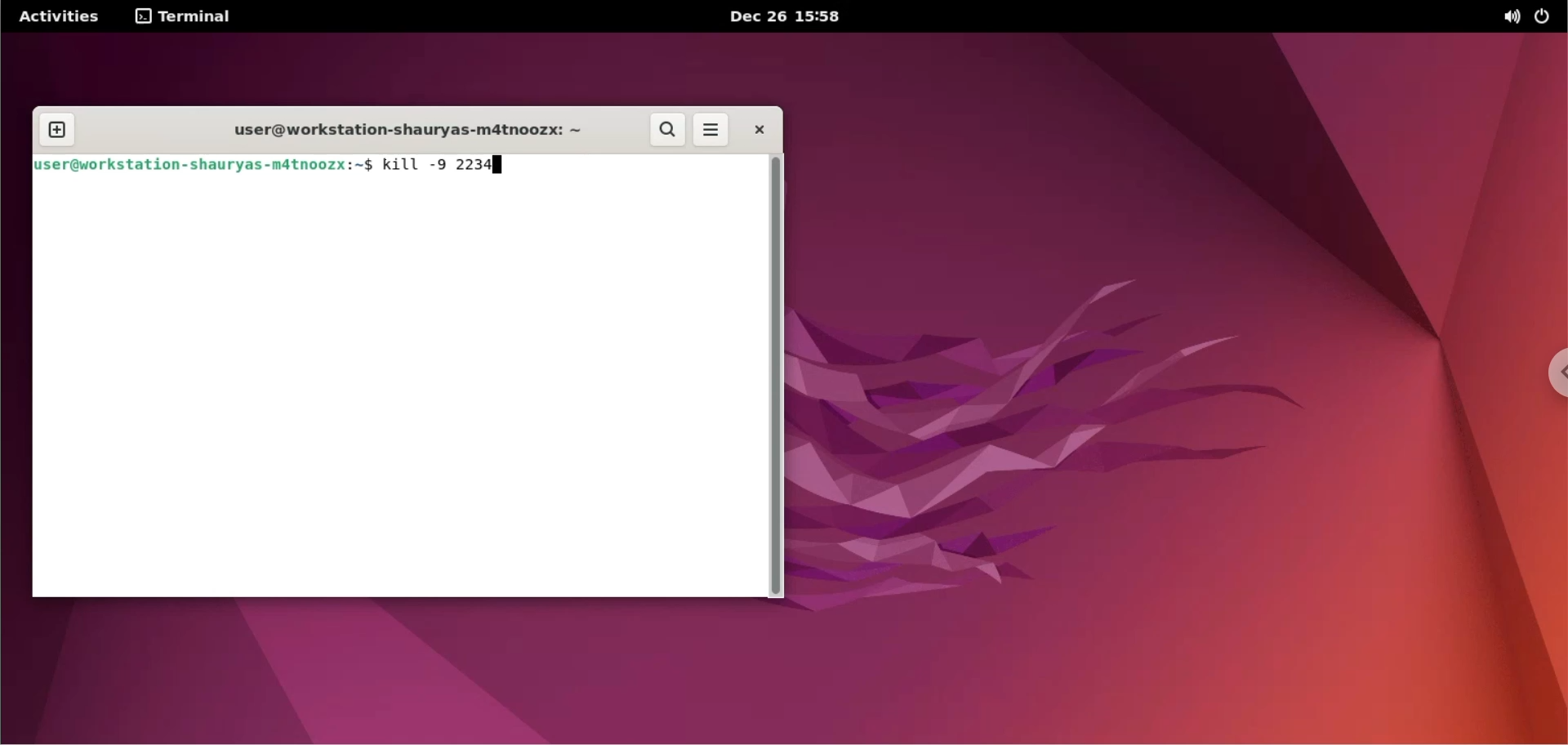 This screenshot has width=1568, height=745. What do you see at coordinates (203, 166) in the screenshot?
I see `user@workstation-shauryas-m4tnoozx:~$` at bounding box center [203, 166].